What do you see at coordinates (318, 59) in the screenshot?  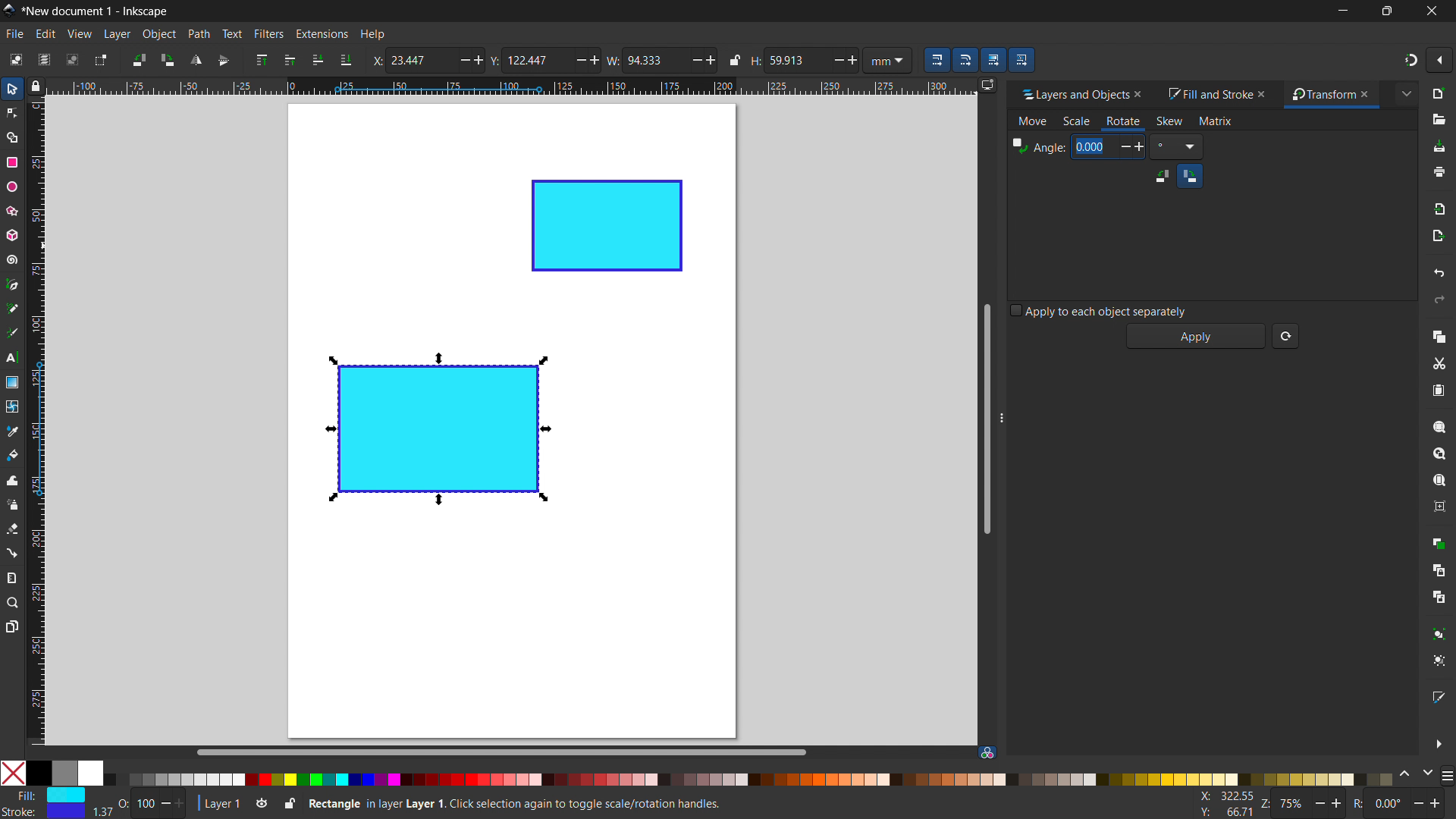 I see `lower` at bounding box center [318, 59].